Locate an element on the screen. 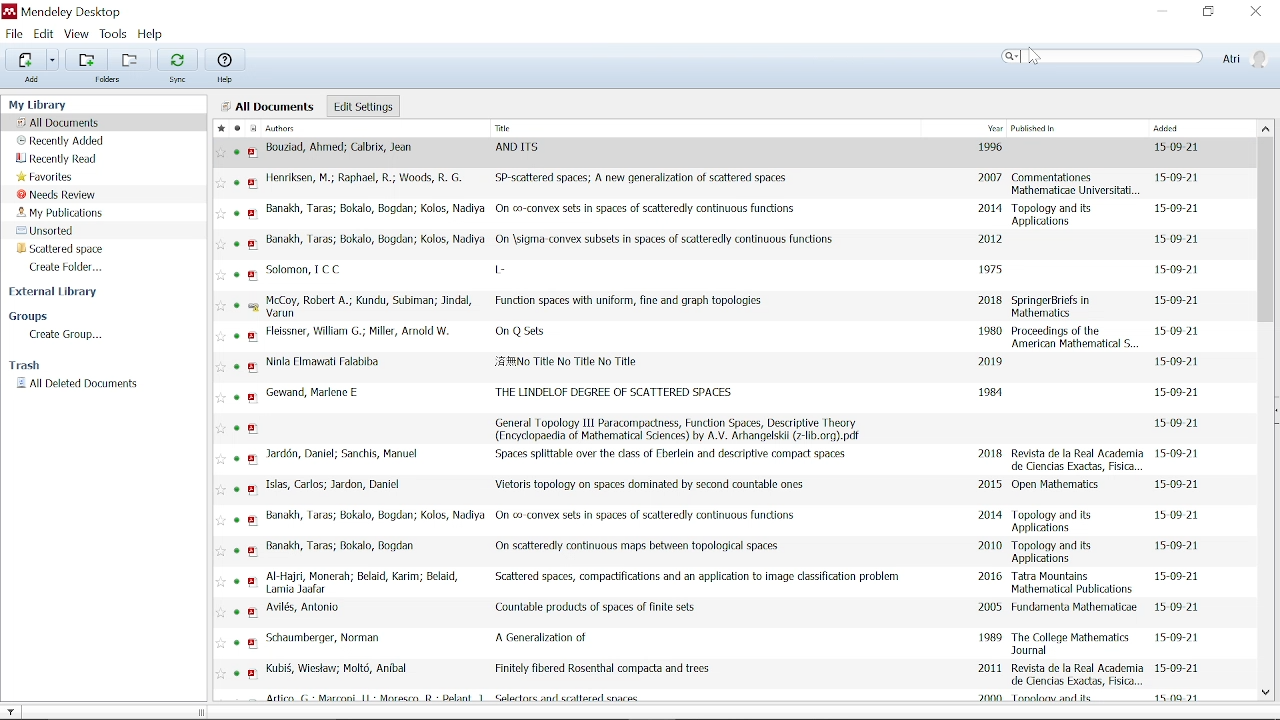 The width and height of the screenshot is (1280, 720). Published in is located at coordinates (1038, 127).